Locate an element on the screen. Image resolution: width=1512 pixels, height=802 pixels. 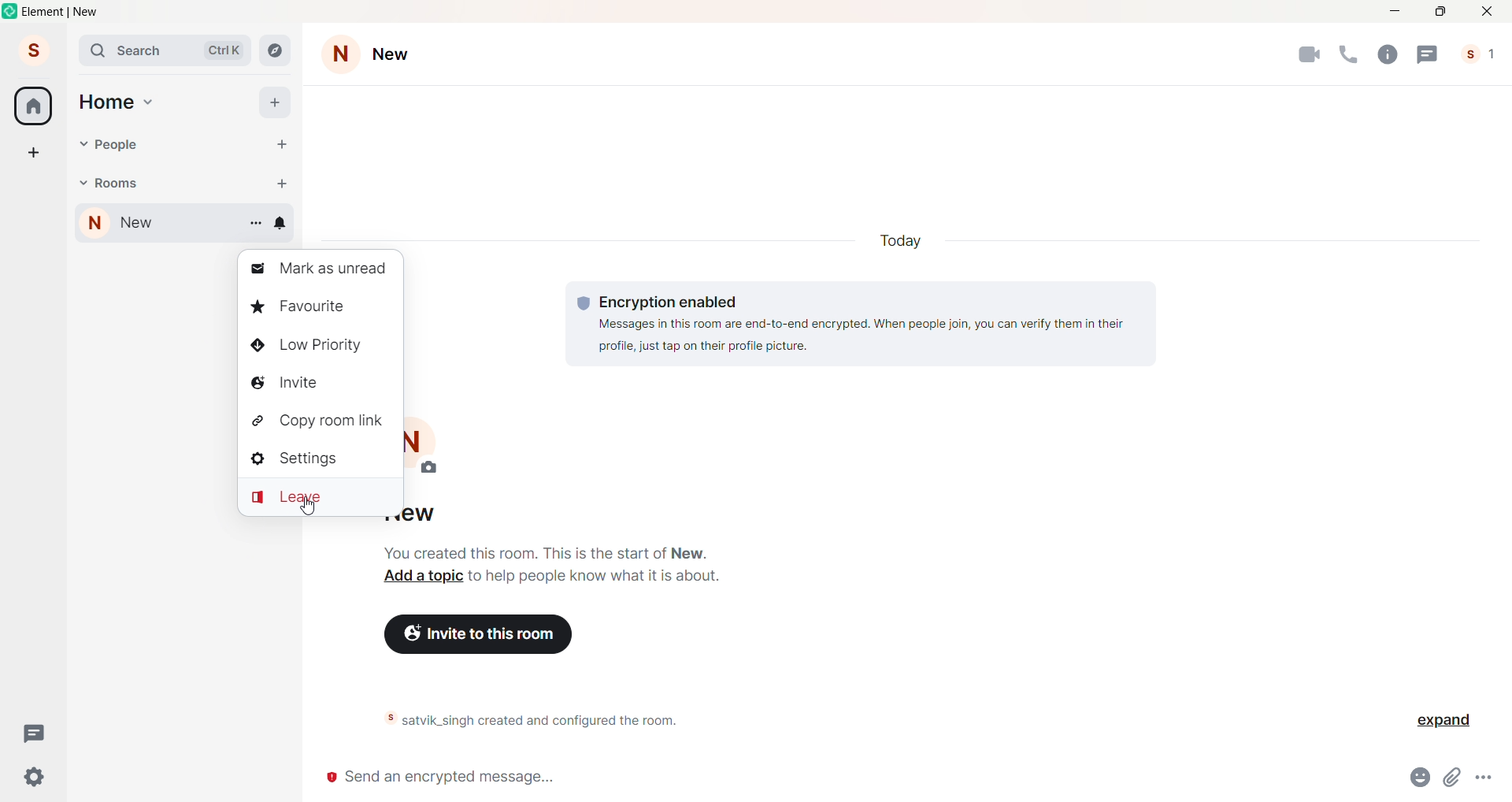
Mark as Unread is located at coordinates (316, 272).